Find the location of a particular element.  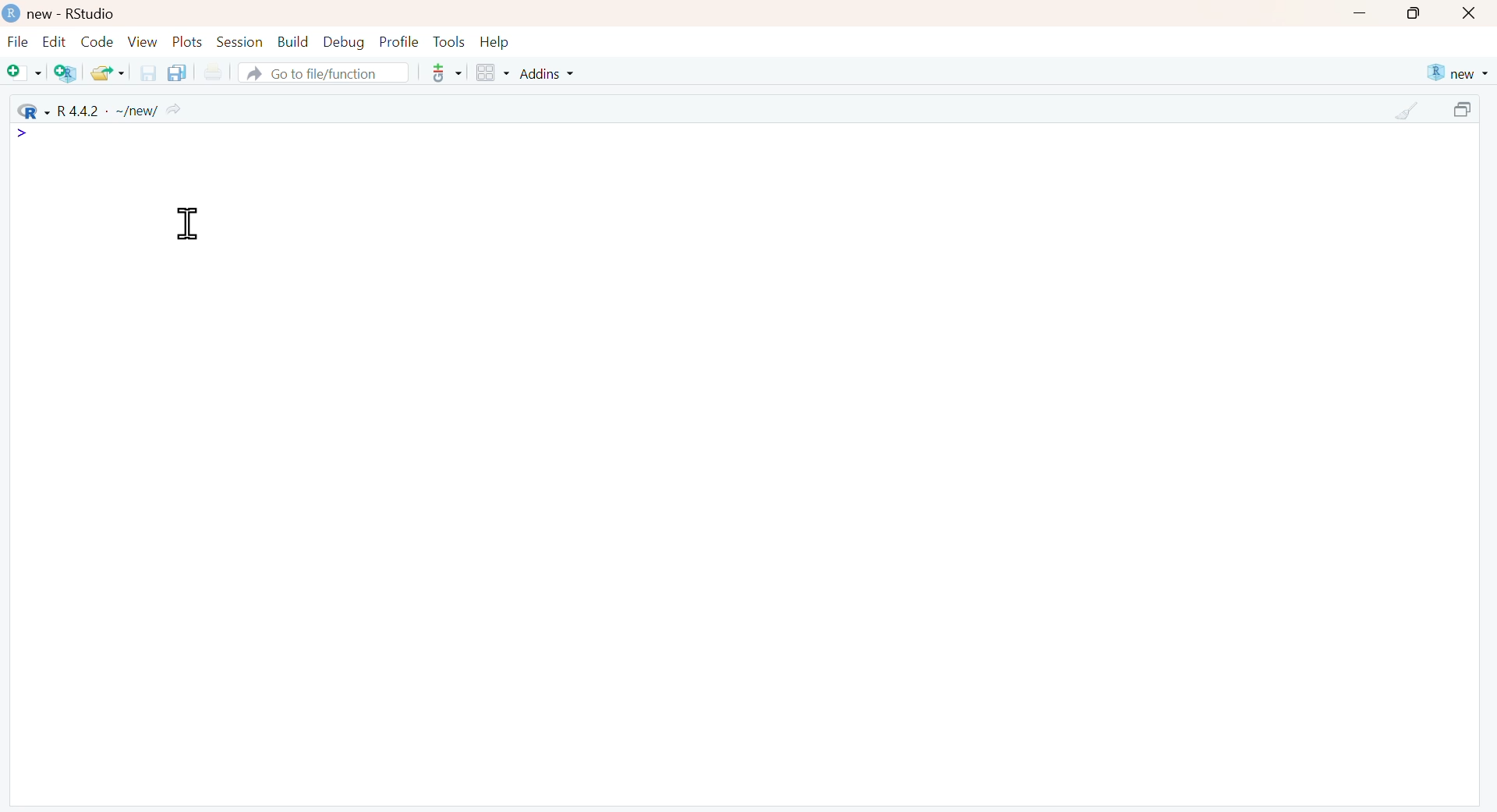

R 4.4.2 - ~/new/ is located at coordinates (101, 110).